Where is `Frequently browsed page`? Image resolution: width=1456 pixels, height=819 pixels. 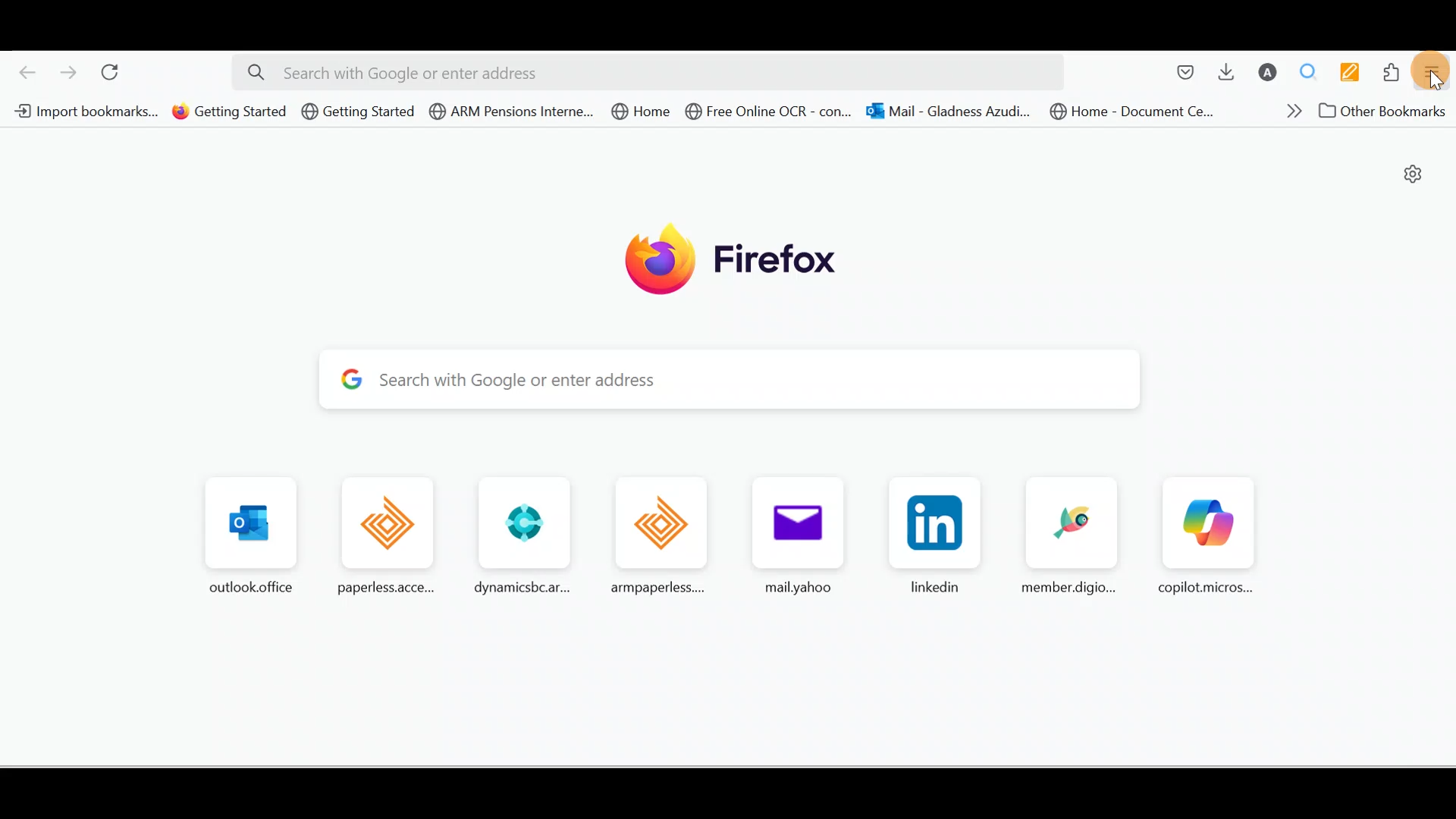 Frequently browsed page is located at coordinates (1205, 538).